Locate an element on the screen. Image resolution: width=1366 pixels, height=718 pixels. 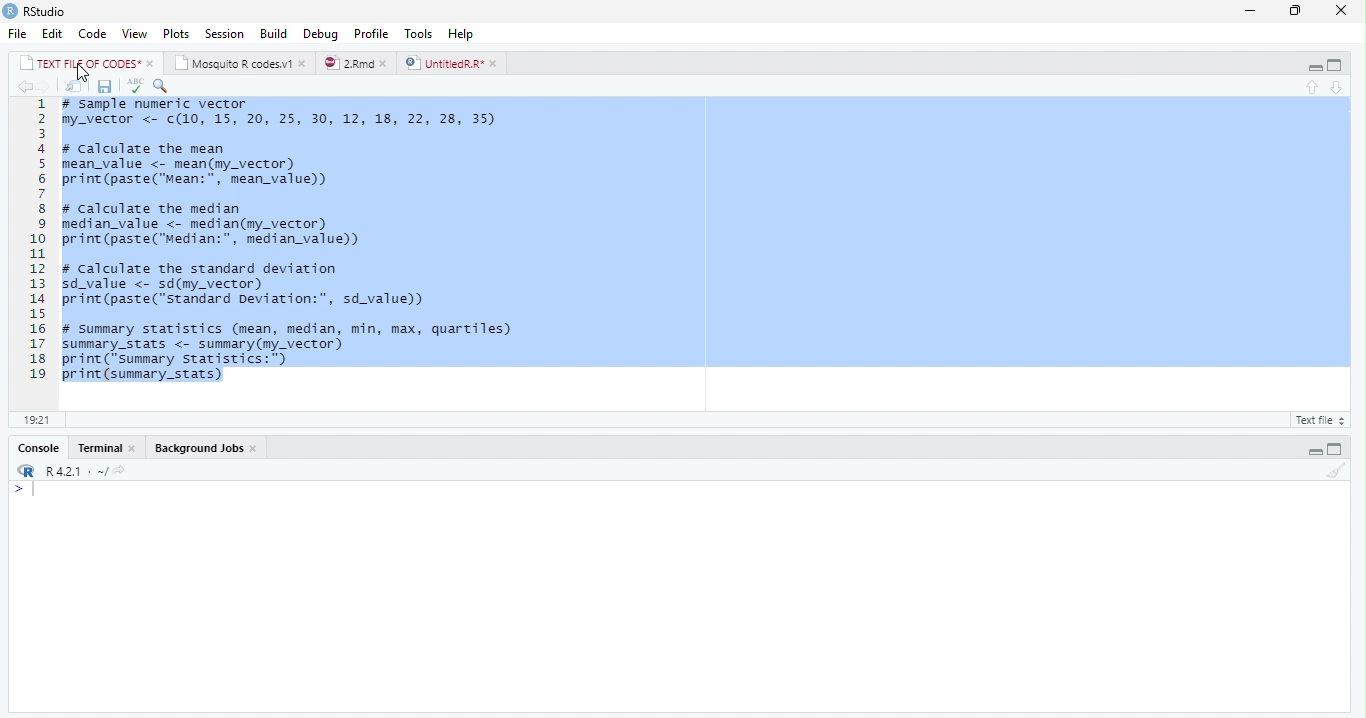
back is located at coordinates (24, 87).